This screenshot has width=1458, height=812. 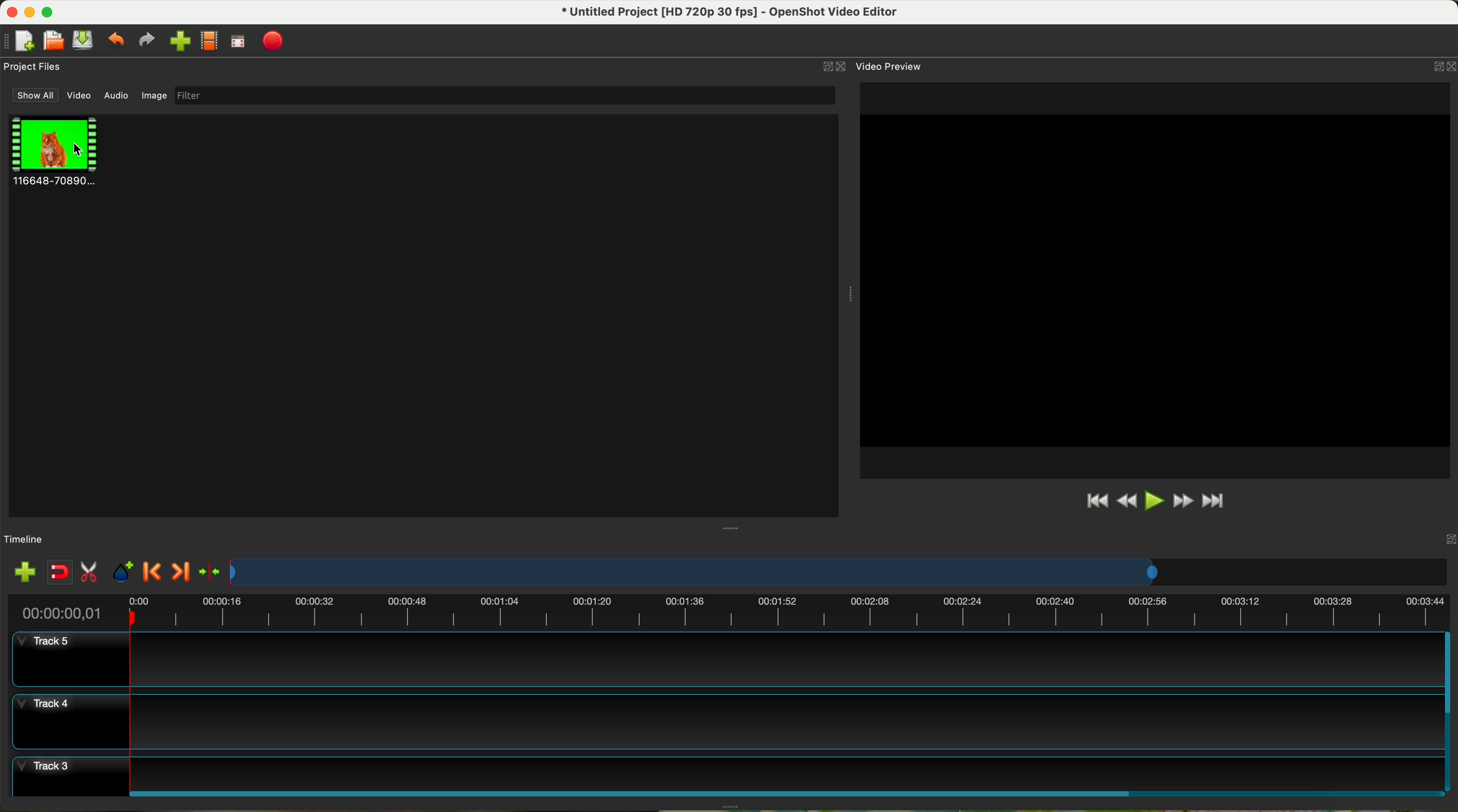 What do you see at coordinates (731, 12) in the screenshot?
I see `file name` at bounding box center [731, 12].